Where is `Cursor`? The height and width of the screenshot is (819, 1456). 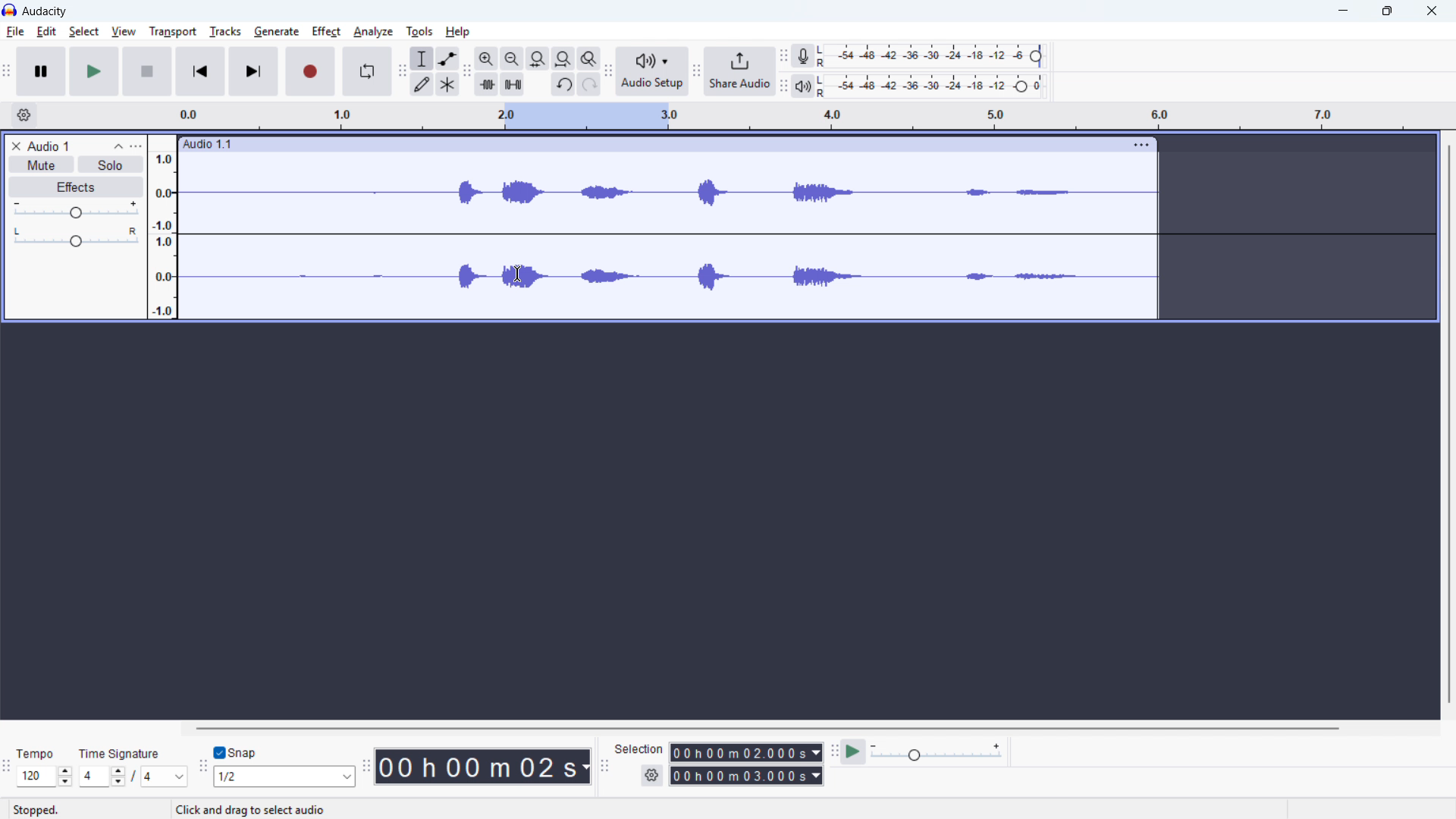 Cursor is located at coordinates (511, 277).